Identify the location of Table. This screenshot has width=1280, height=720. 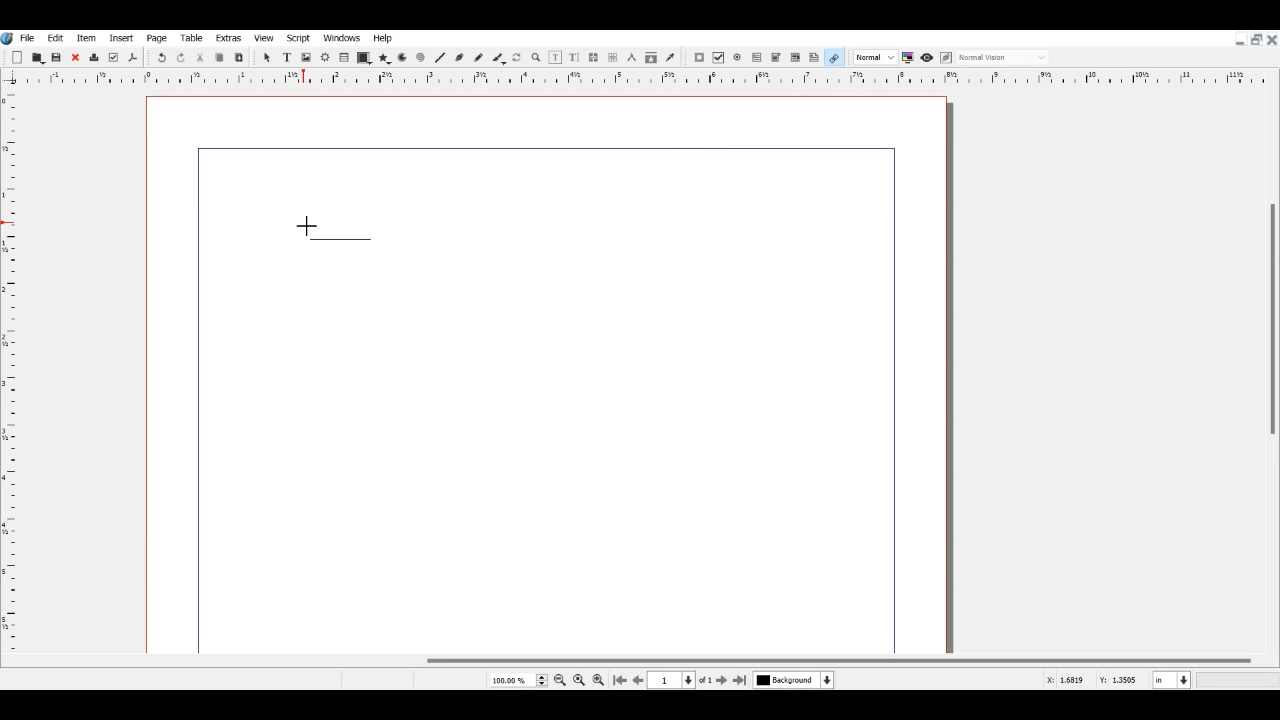
(191, 38).